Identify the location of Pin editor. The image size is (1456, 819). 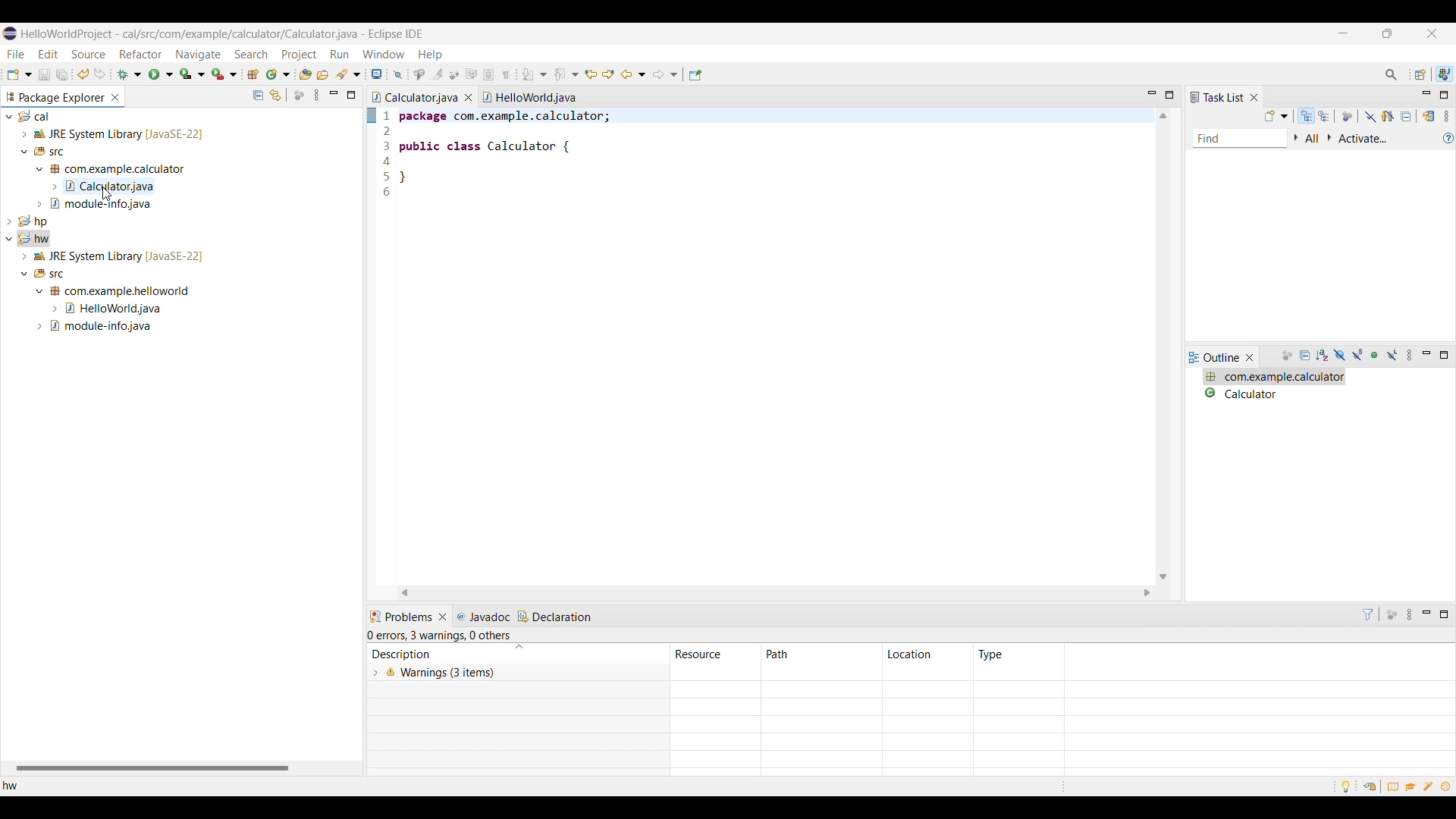
(695, 75).